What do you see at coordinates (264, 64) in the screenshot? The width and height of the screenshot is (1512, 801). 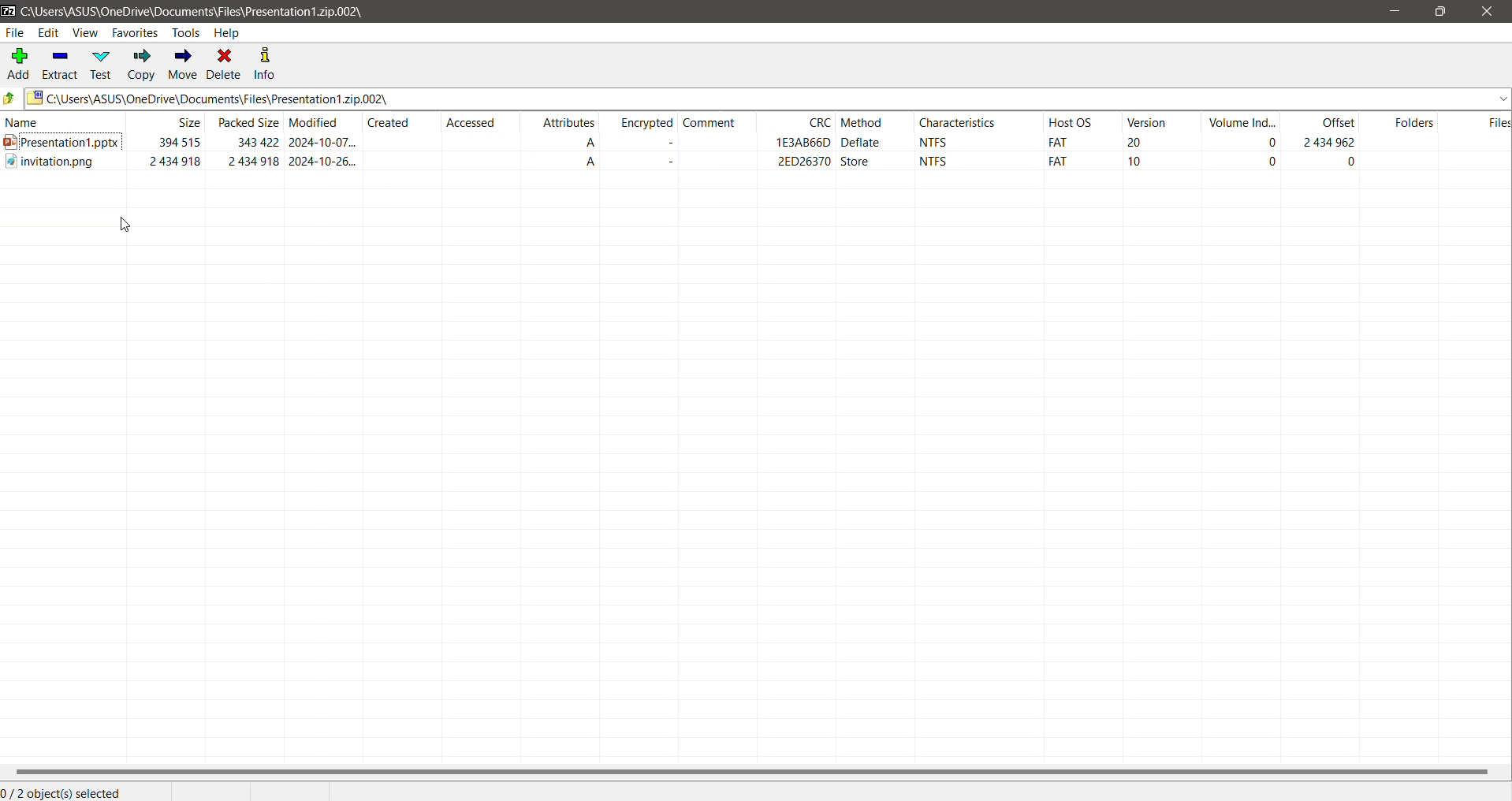 I see `Info` at bounding box center [264, 64].